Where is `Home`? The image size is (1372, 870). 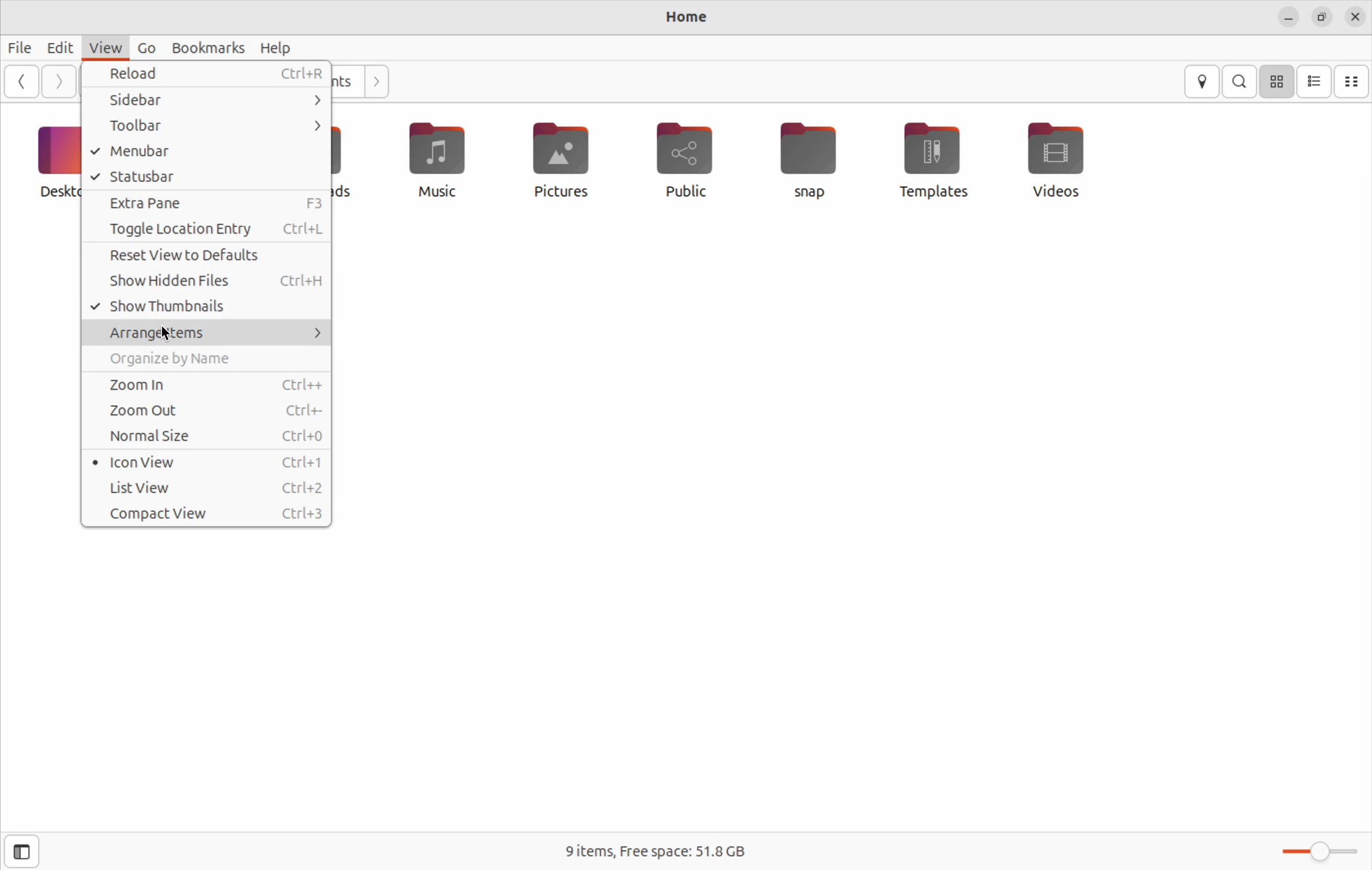
Home is located at coordinates (677, 19).